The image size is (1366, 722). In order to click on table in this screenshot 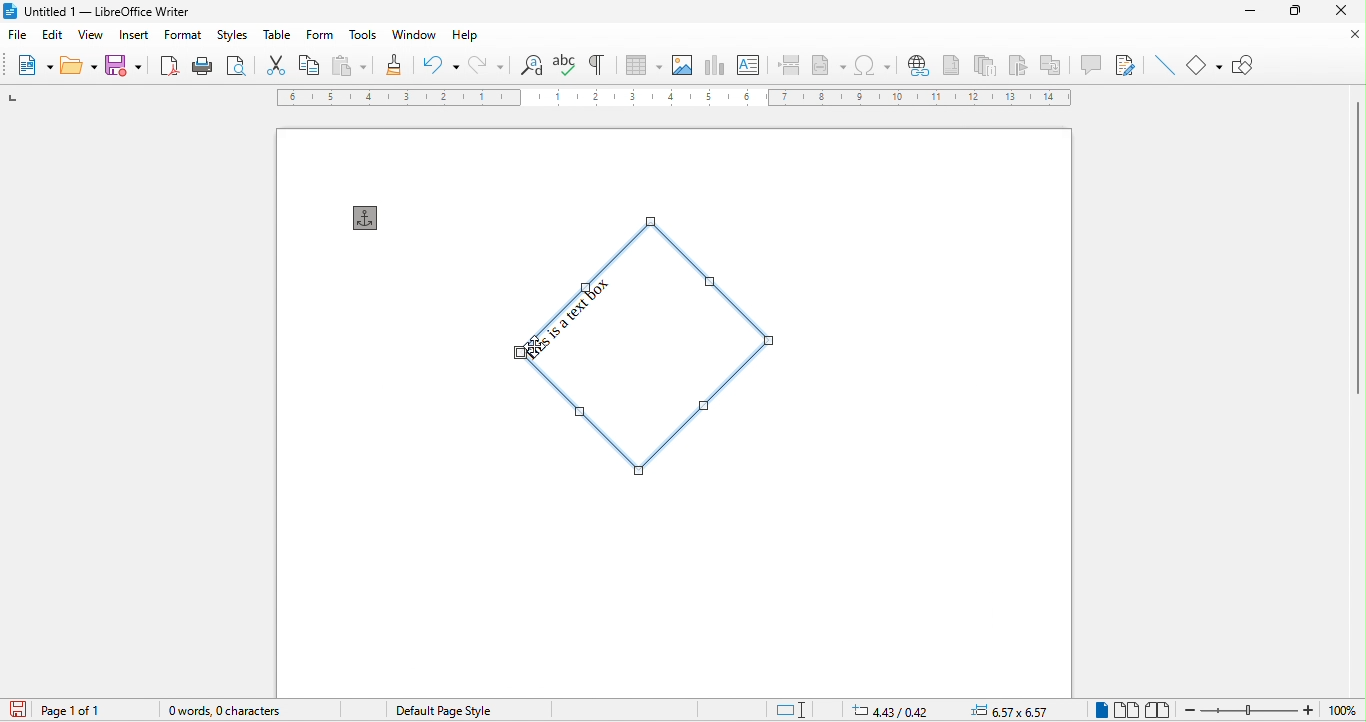, I will do `click(276, 37)`.